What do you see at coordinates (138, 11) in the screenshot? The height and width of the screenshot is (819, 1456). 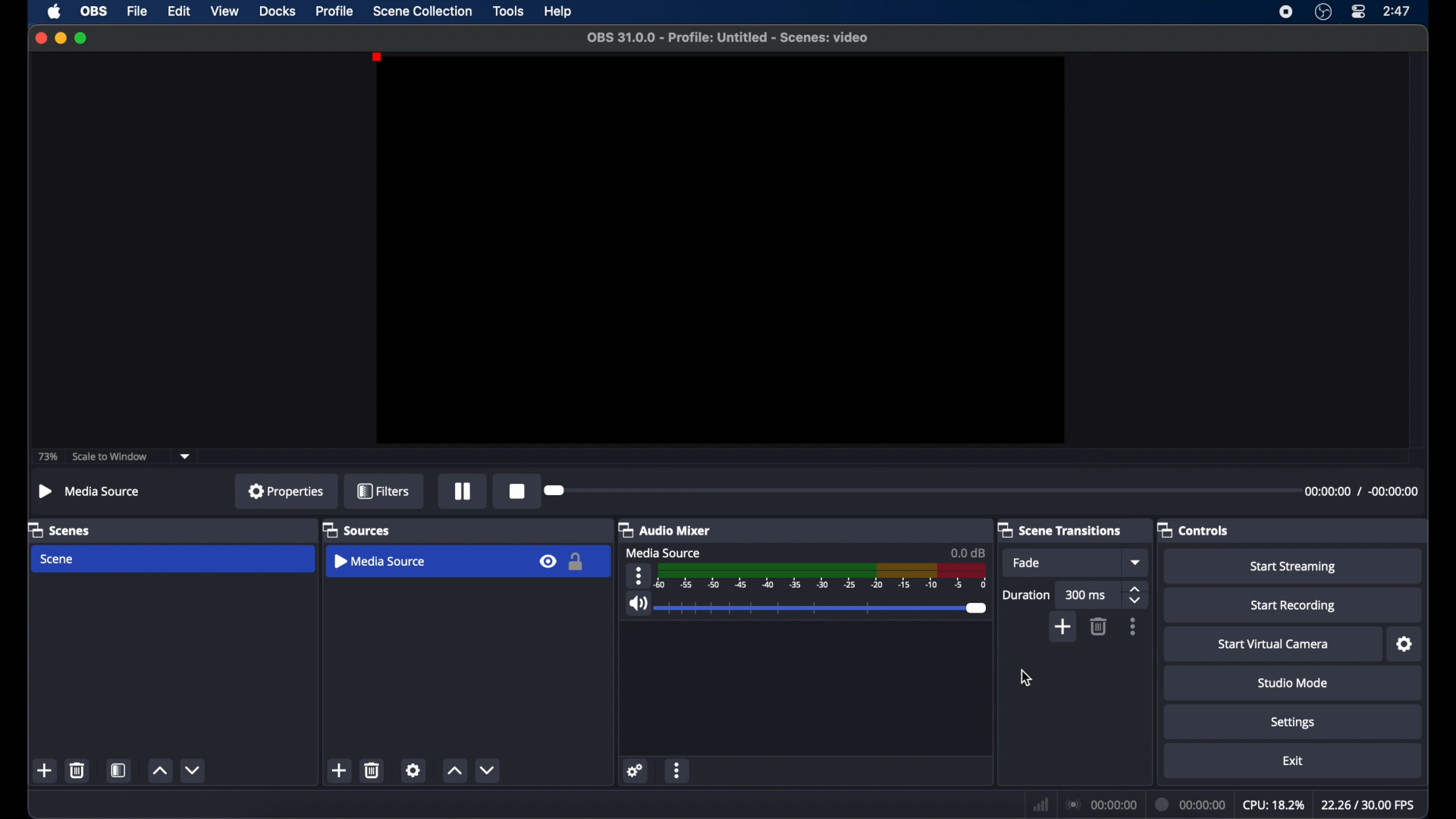 I see `file` at bounding box center [138, 11].